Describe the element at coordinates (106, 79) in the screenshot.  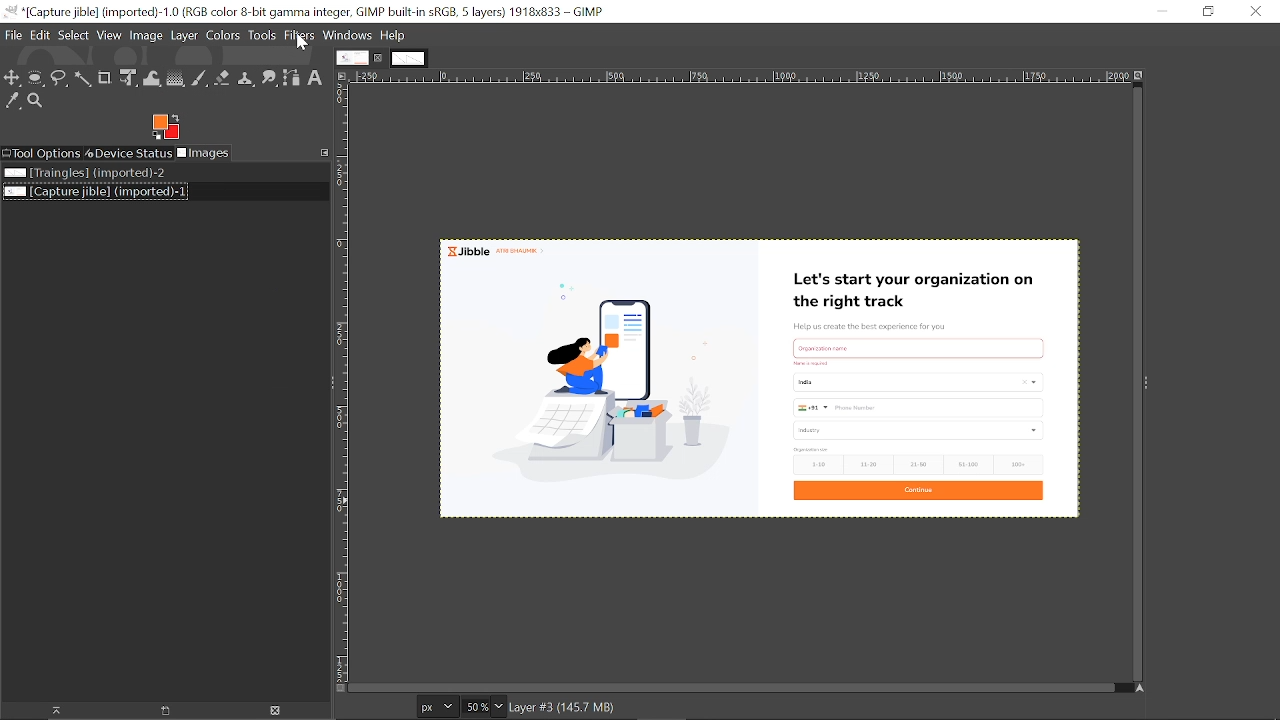
I see `Crop tool` at that location.